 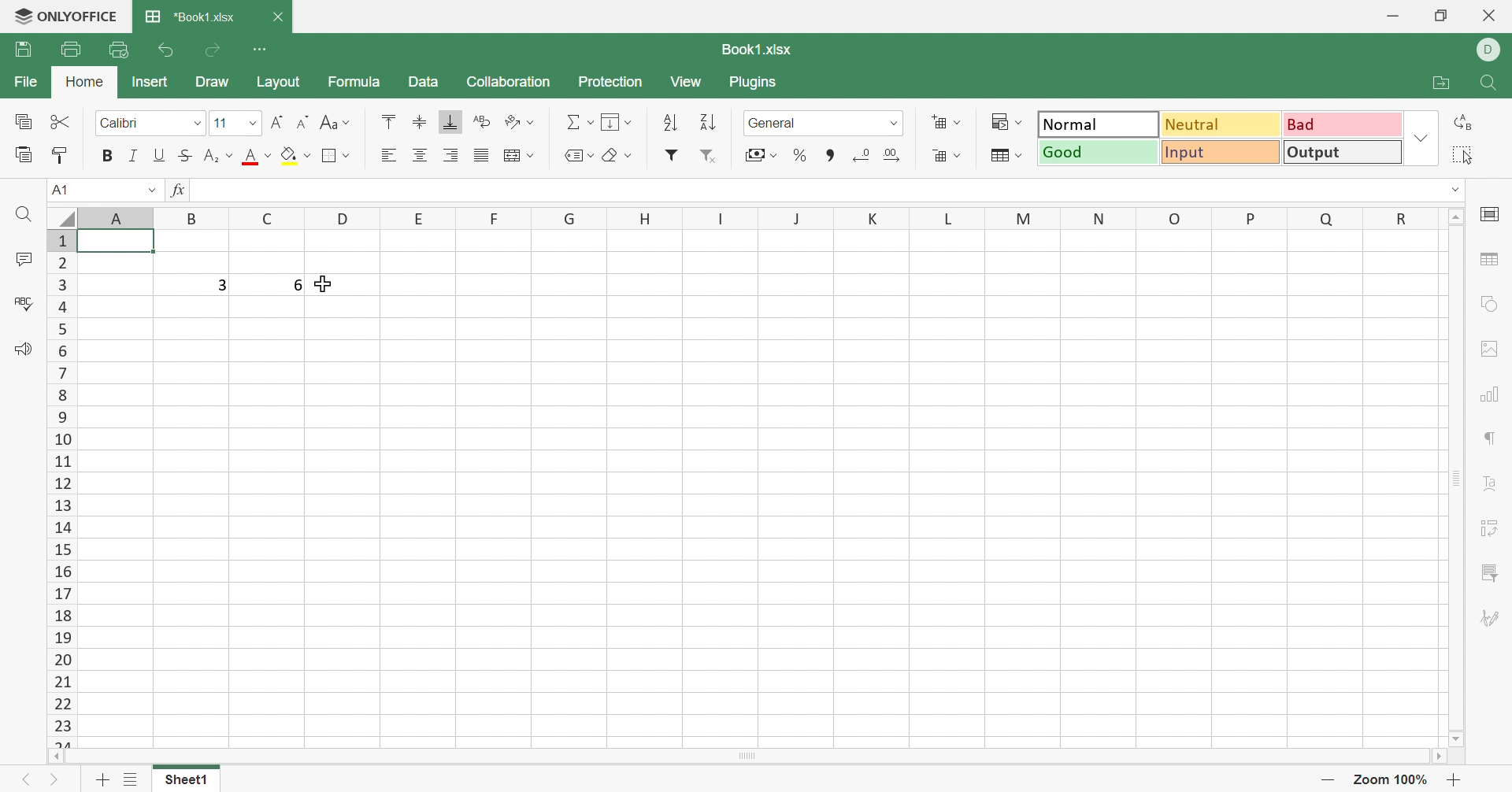 I want to click on Neutral, so click(x=1222, y=126).